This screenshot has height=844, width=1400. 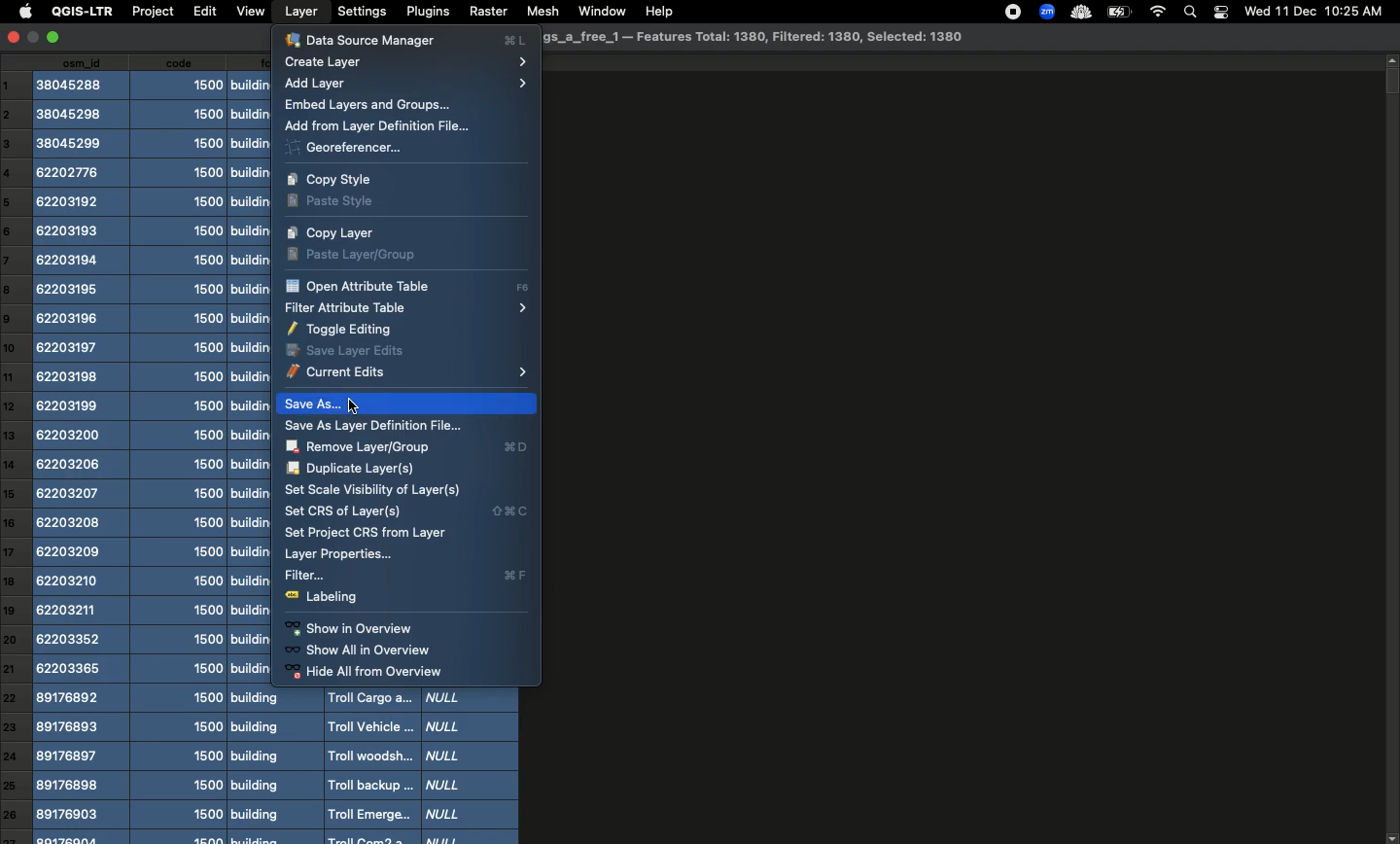 I want to click on Duplicate layer, so click(x=354, y=469).